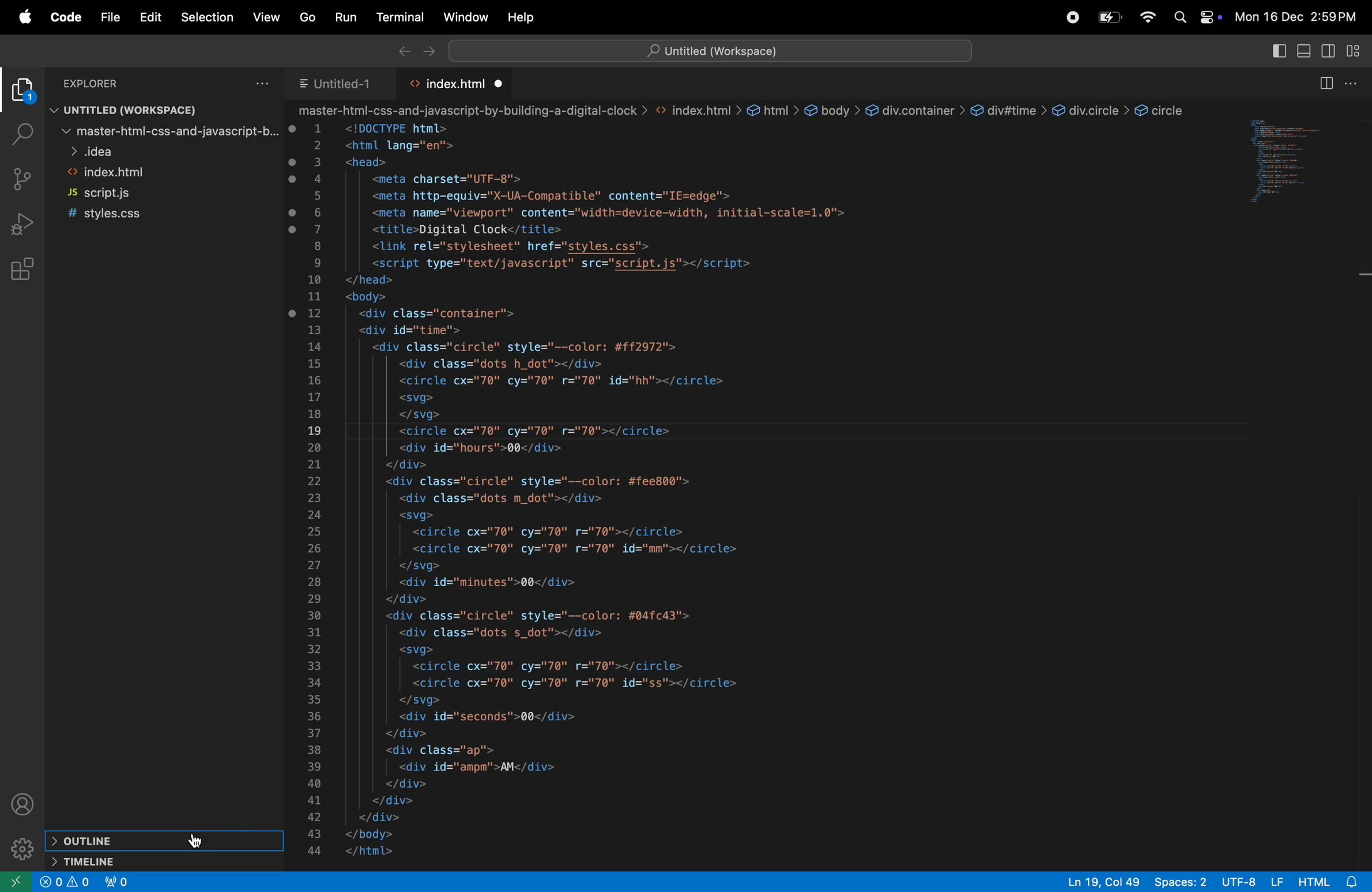  I want to click on script.js, so click(129, 193).